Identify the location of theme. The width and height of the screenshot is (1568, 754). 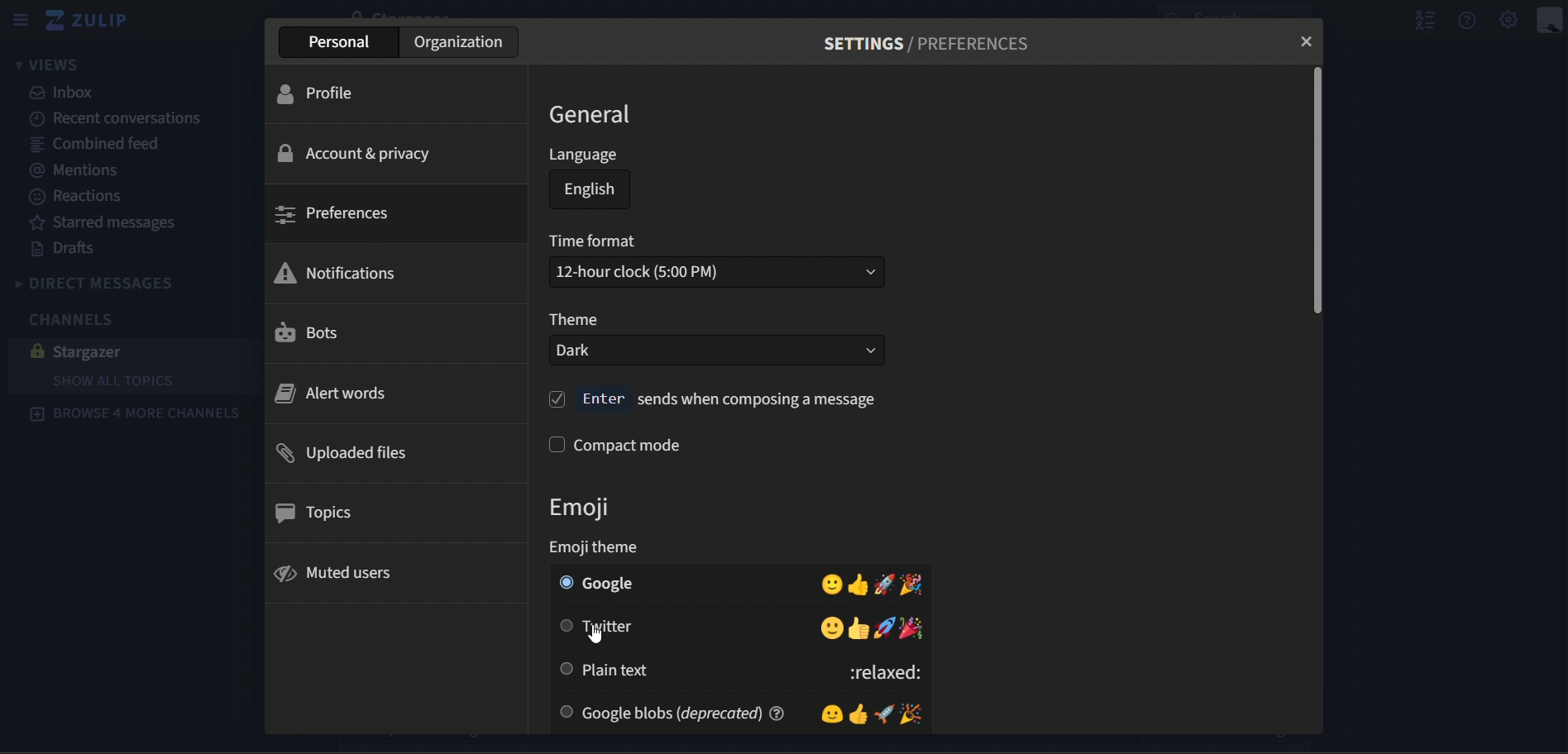
(574, 320).